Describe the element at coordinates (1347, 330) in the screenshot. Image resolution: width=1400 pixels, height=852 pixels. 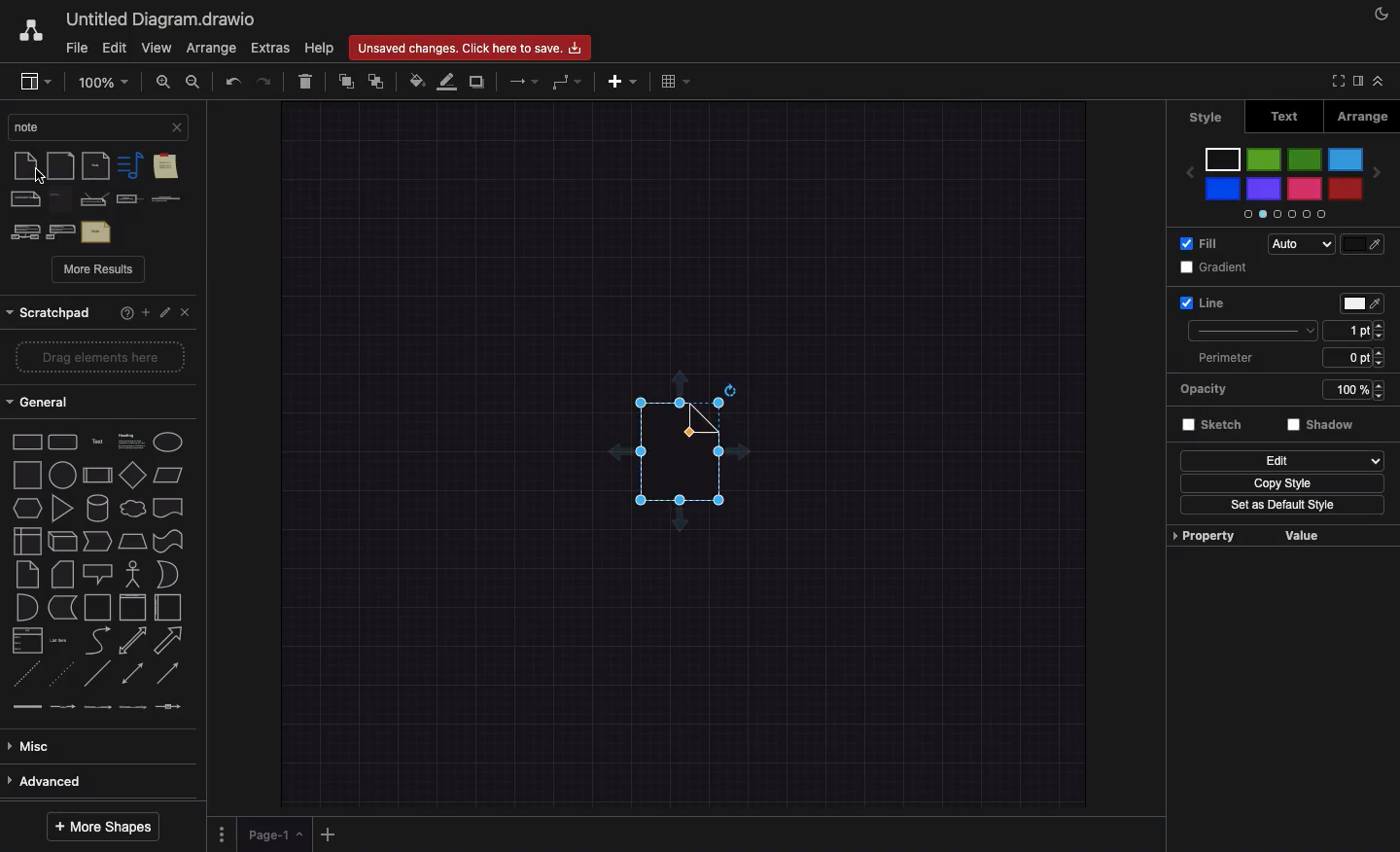
I see `line width` at that location.